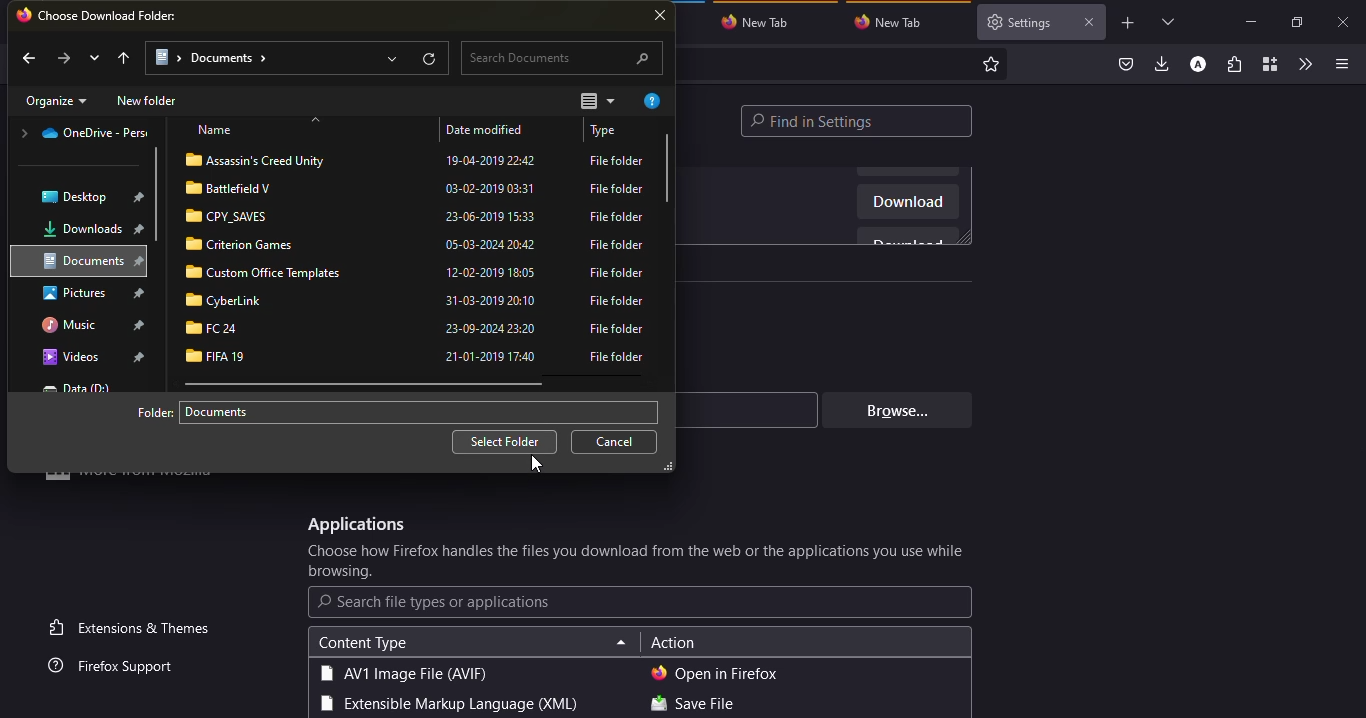  What do you see at coordinates (149, 101) in the screenshot?
I see `new folde` at bounding box center [149, 101].